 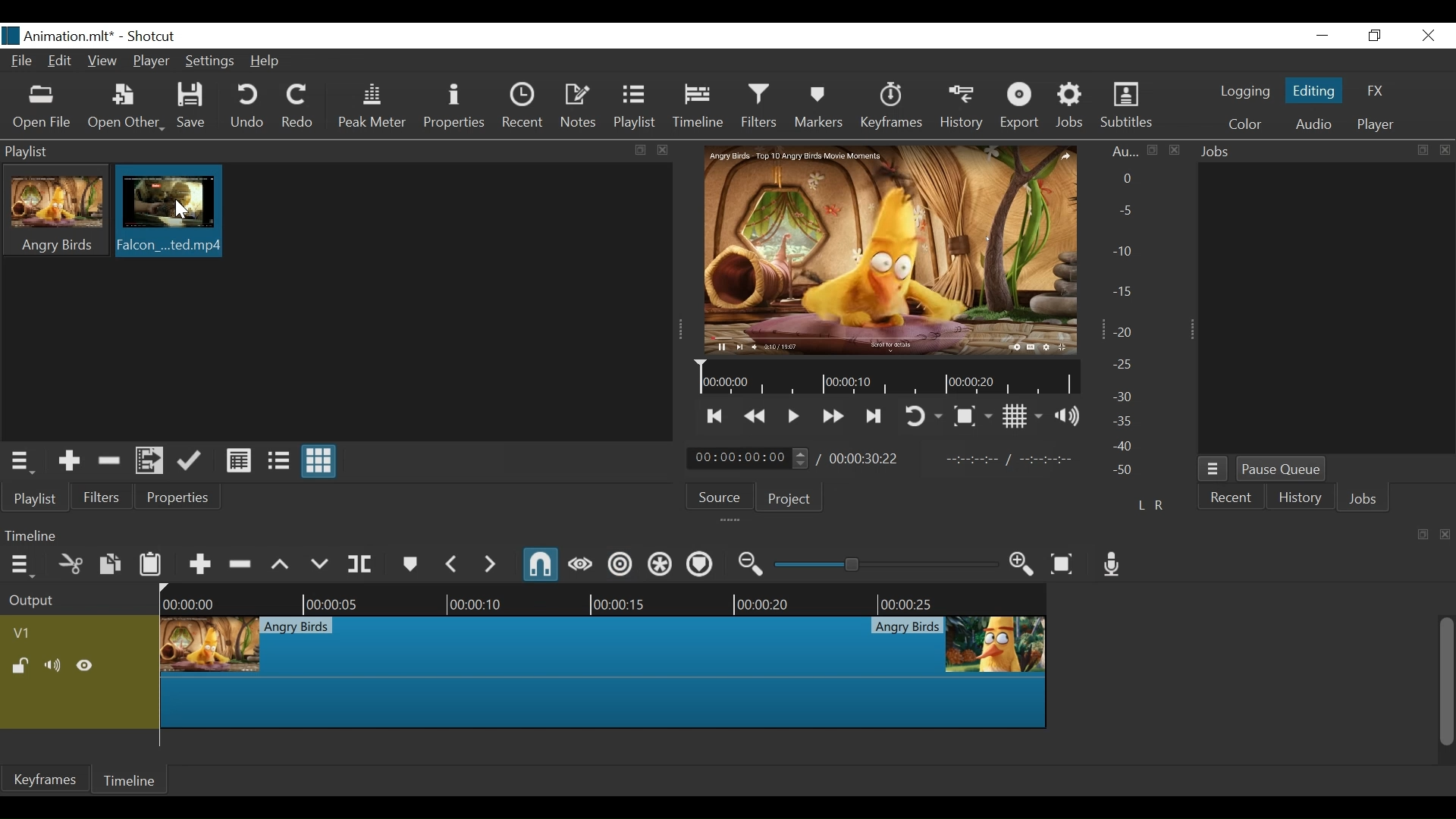 What do you see at coordinates (149, 460) in the screenshot?
I see `Add files to the playlist` at bounding box center [149, 460].